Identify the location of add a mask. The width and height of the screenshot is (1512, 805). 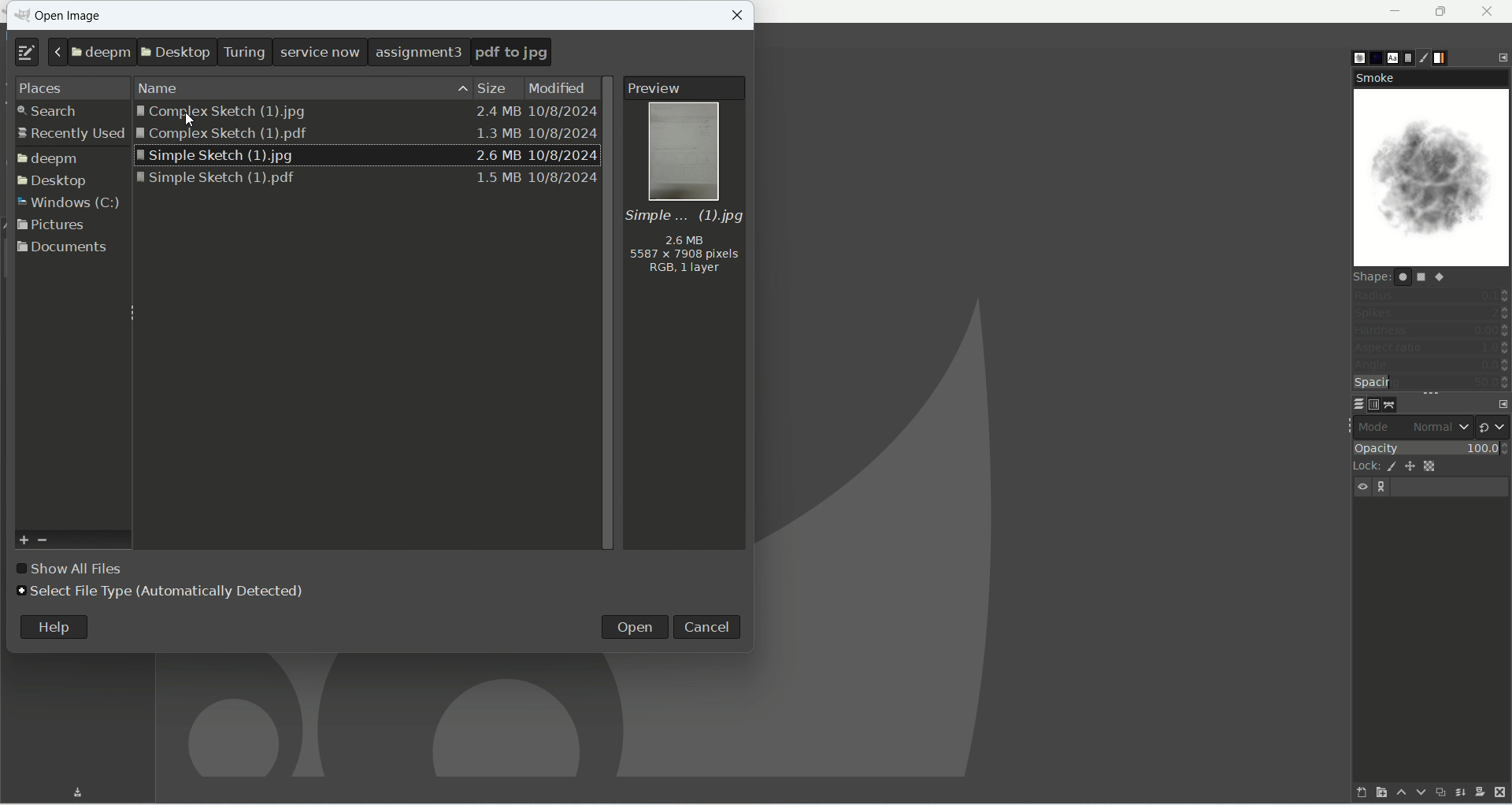
(1480, 791).